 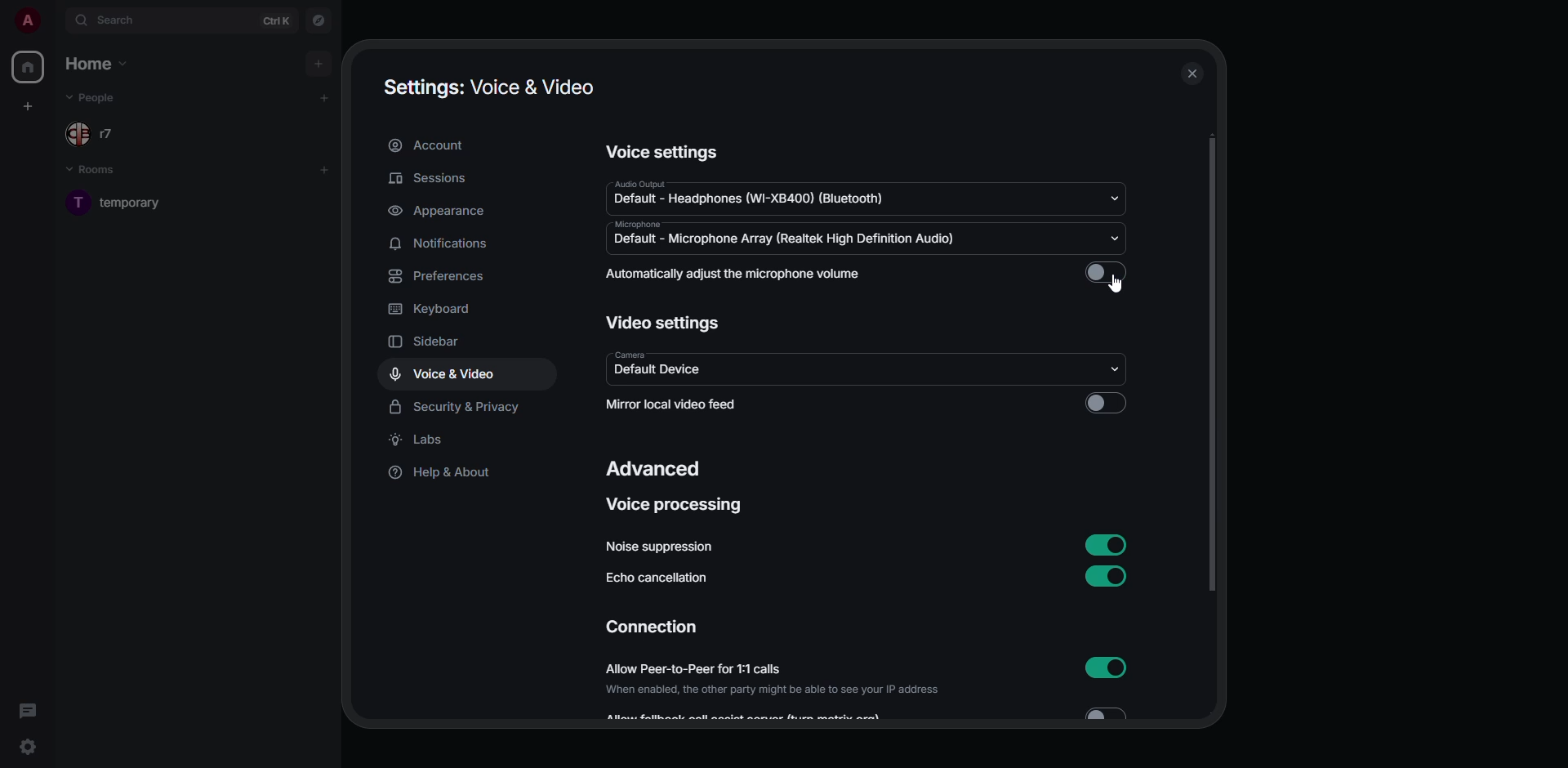 What do you see at coordinates (1102, 543) in the screenshot?
I see `enabled` at bounding box center [1102, 543].